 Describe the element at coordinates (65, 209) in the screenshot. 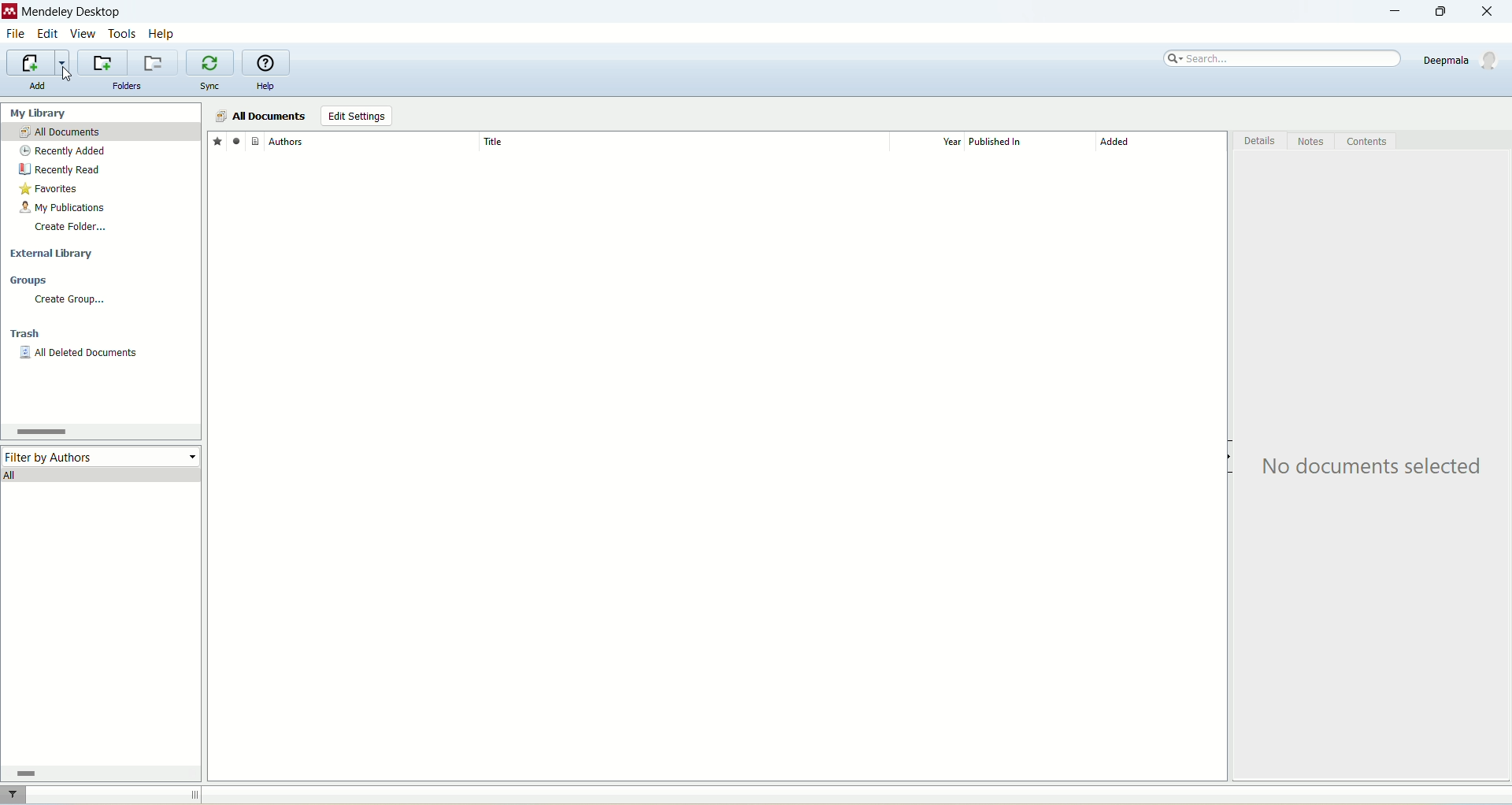

I see `my publication` at that location.